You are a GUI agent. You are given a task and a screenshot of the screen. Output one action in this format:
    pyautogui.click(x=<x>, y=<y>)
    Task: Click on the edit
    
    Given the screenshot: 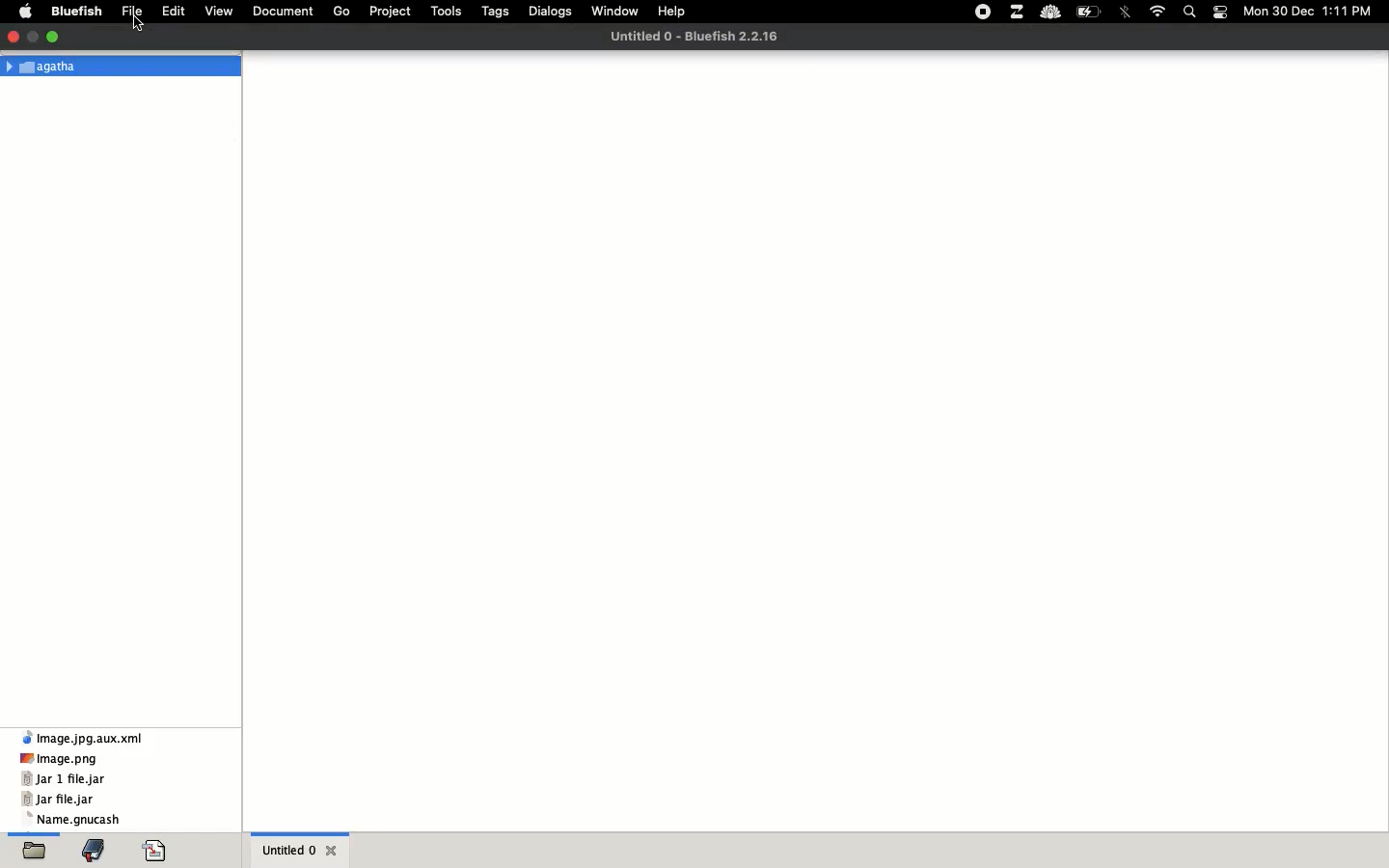 What is the action you would take?
    pyautogui.click(x=175, y=10)
    